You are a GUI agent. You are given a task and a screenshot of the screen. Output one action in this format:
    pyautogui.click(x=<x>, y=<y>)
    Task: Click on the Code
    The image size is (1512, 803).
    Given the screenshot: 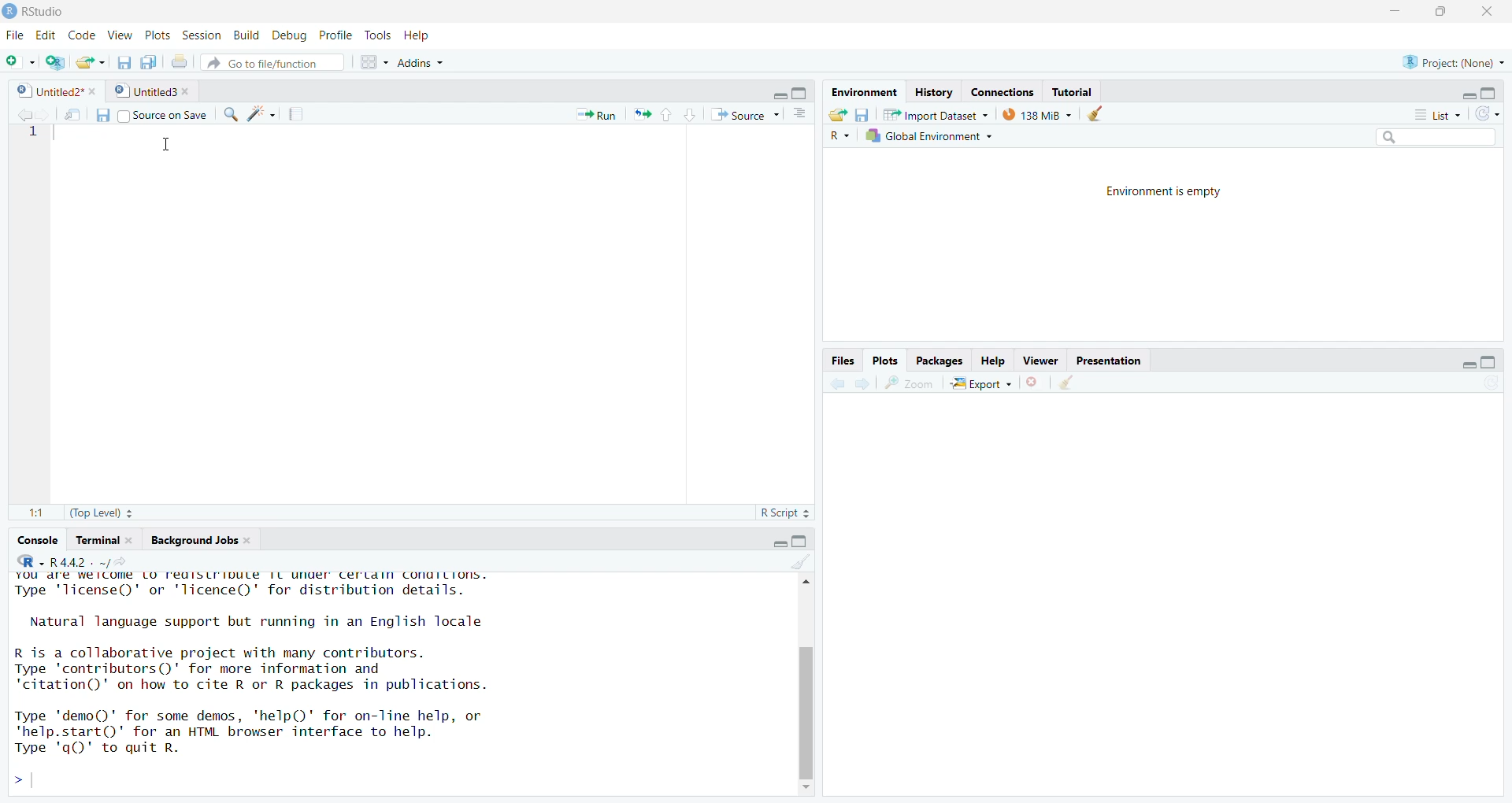 What is the action you would take?
    pyautogui.click(x=83, y=36)
    